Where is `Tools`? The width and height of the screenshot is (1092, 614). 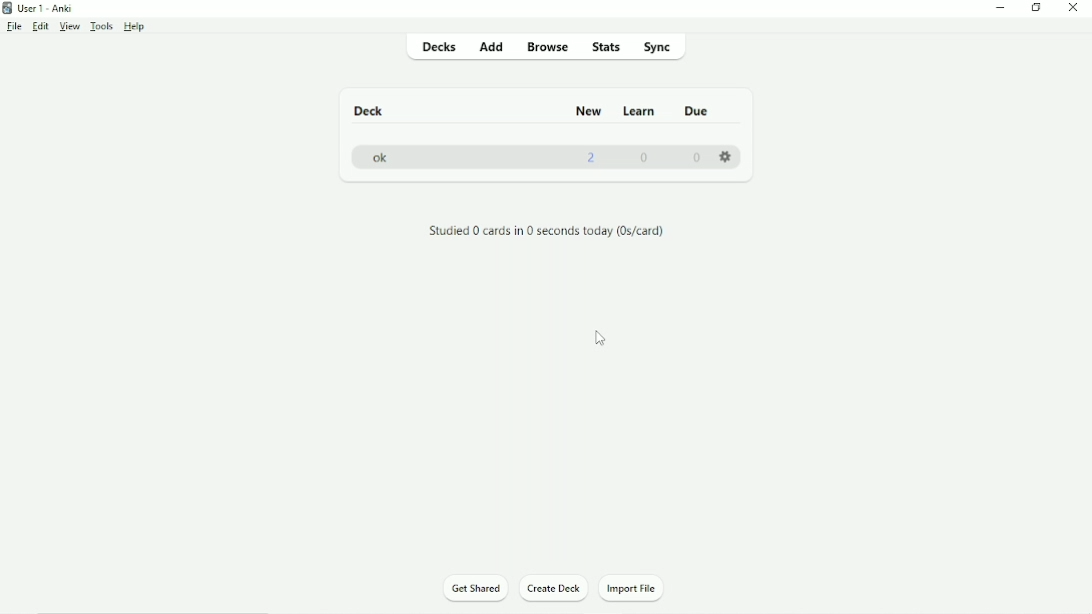
Tools is located at coordinates (101, 26).